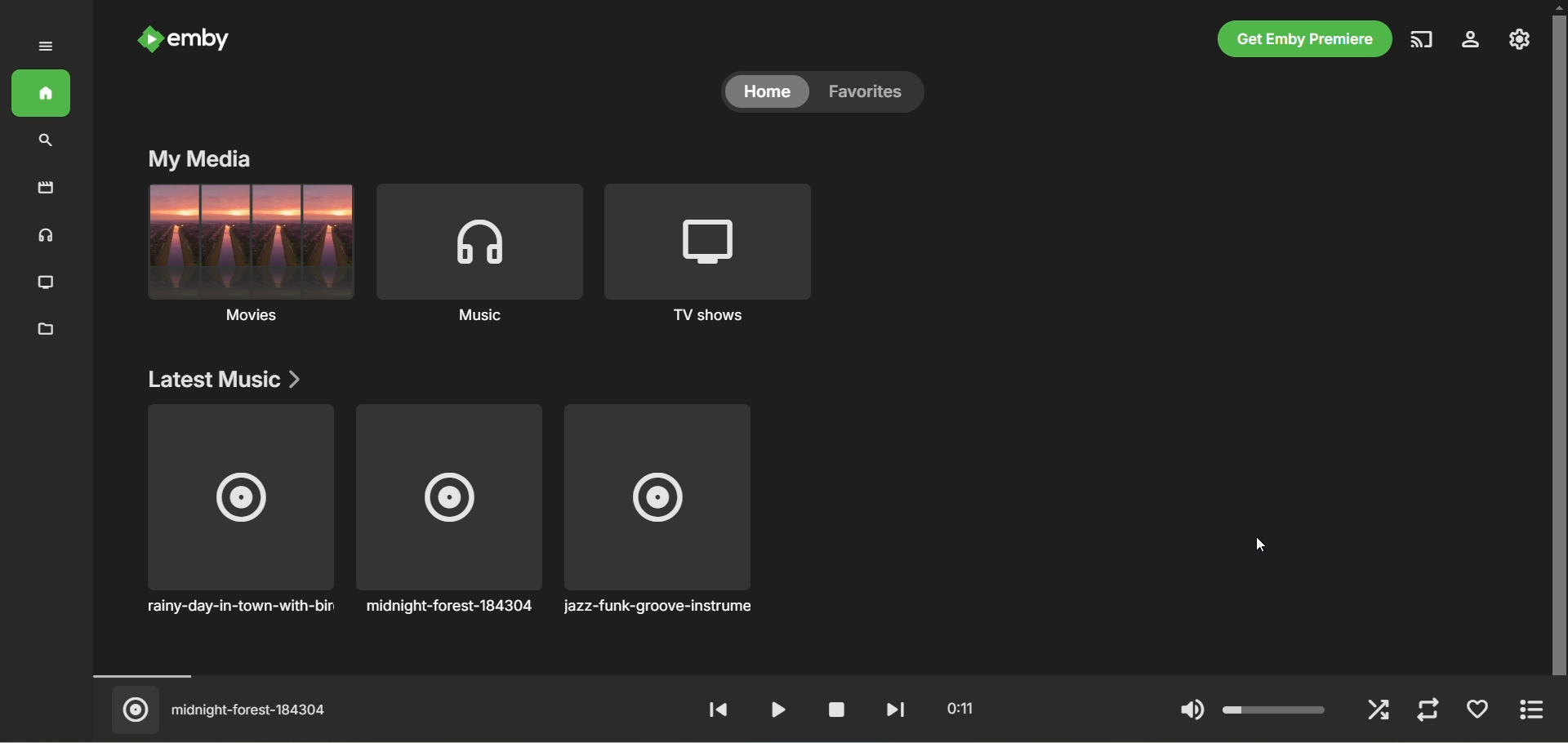  I want to click on volume, so click(1251, 710).